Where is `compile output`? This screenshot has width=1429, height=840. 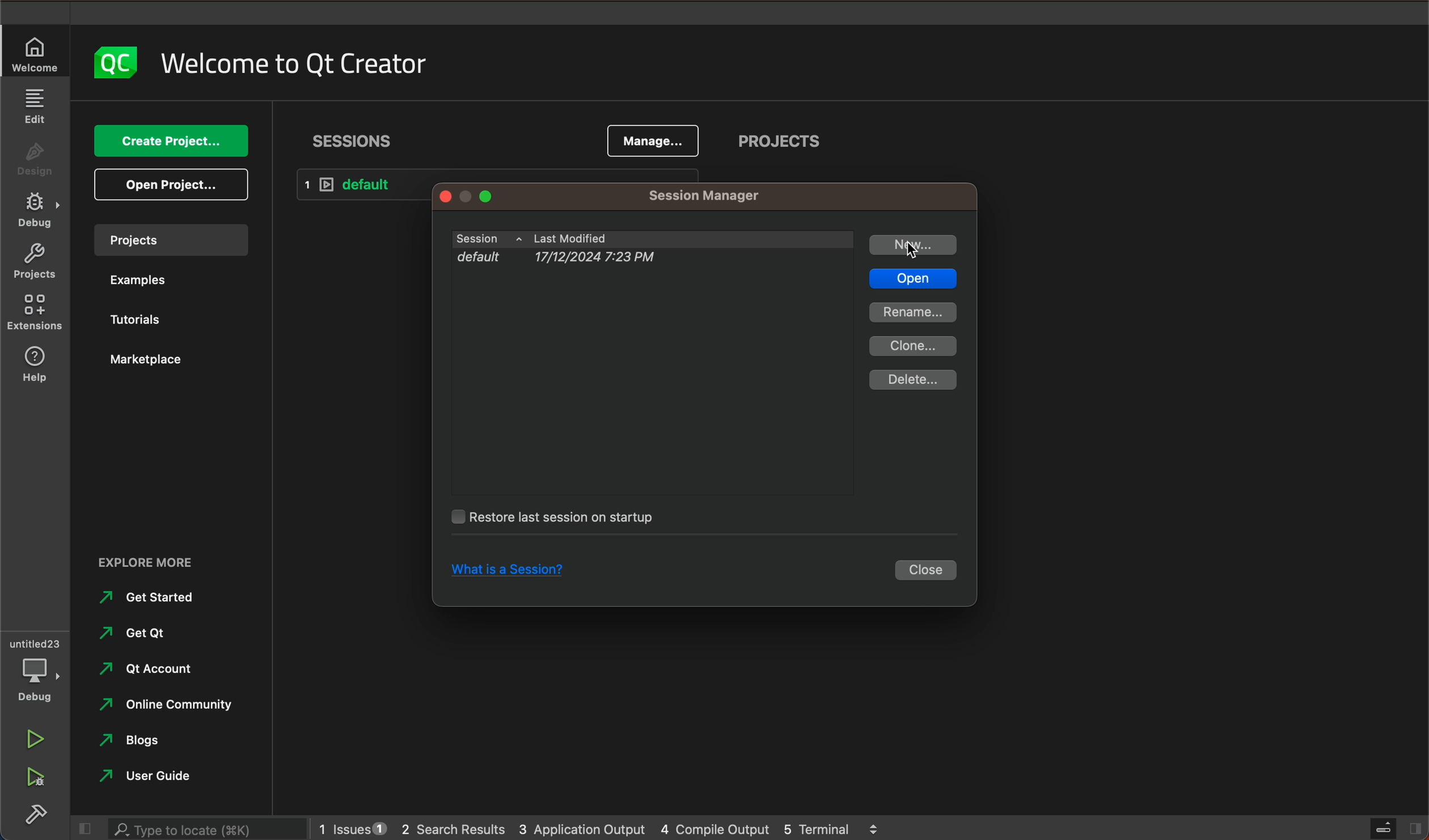
compile output is located at coordinates (715, 827).